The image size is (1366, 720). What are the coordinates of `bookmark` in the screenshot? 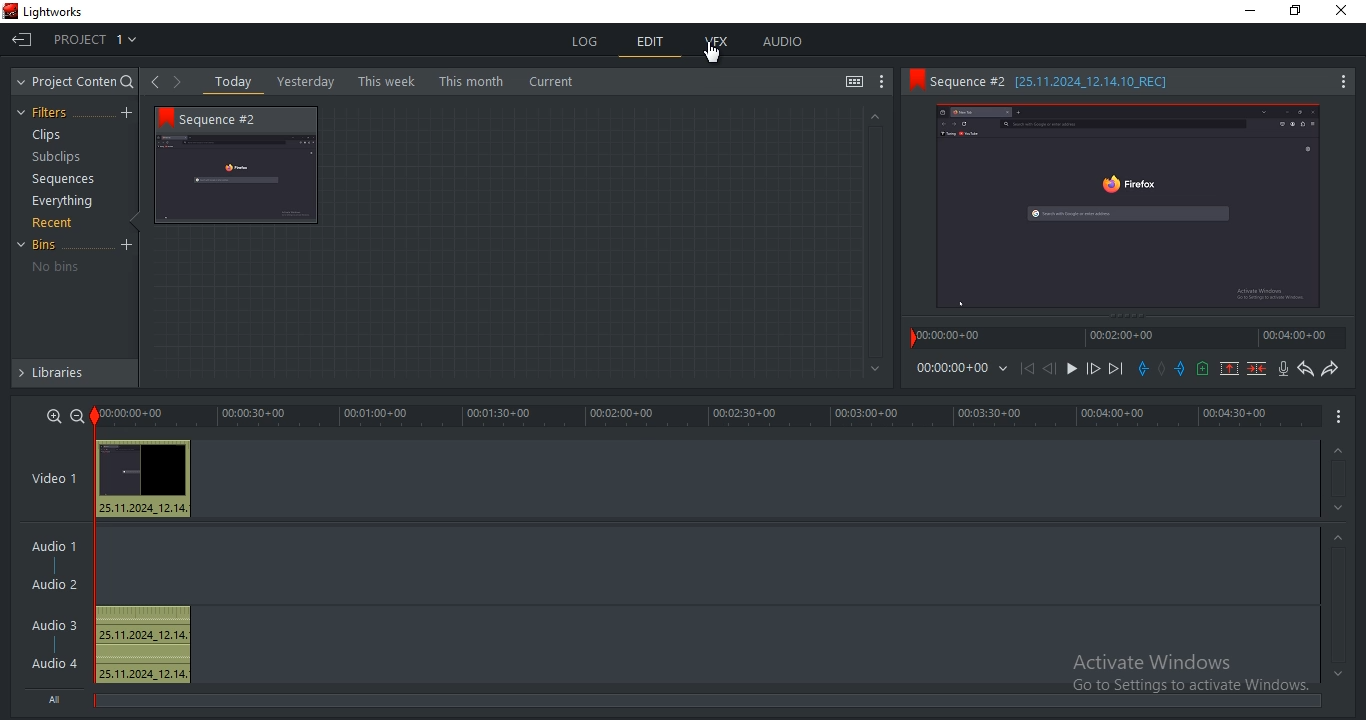 It's located at (168, 114).